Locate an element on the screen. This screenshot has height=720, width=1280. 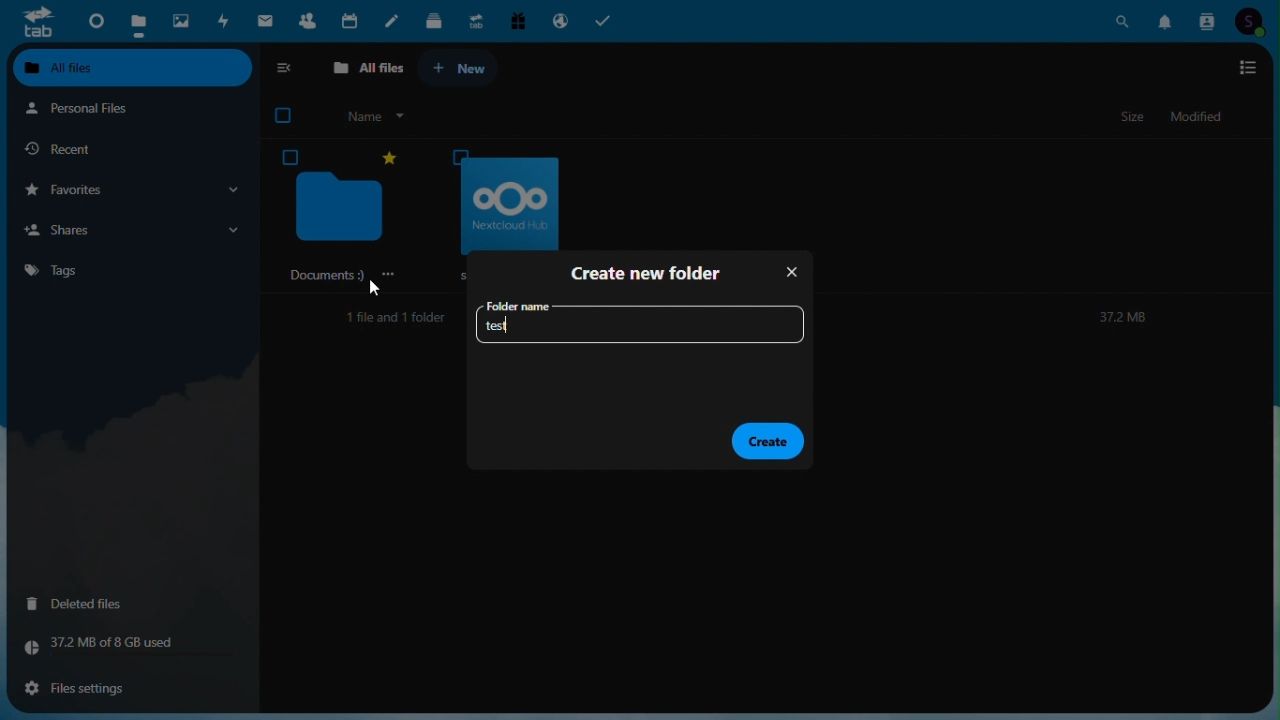
Deleted files is located at coordinates (127, 605).